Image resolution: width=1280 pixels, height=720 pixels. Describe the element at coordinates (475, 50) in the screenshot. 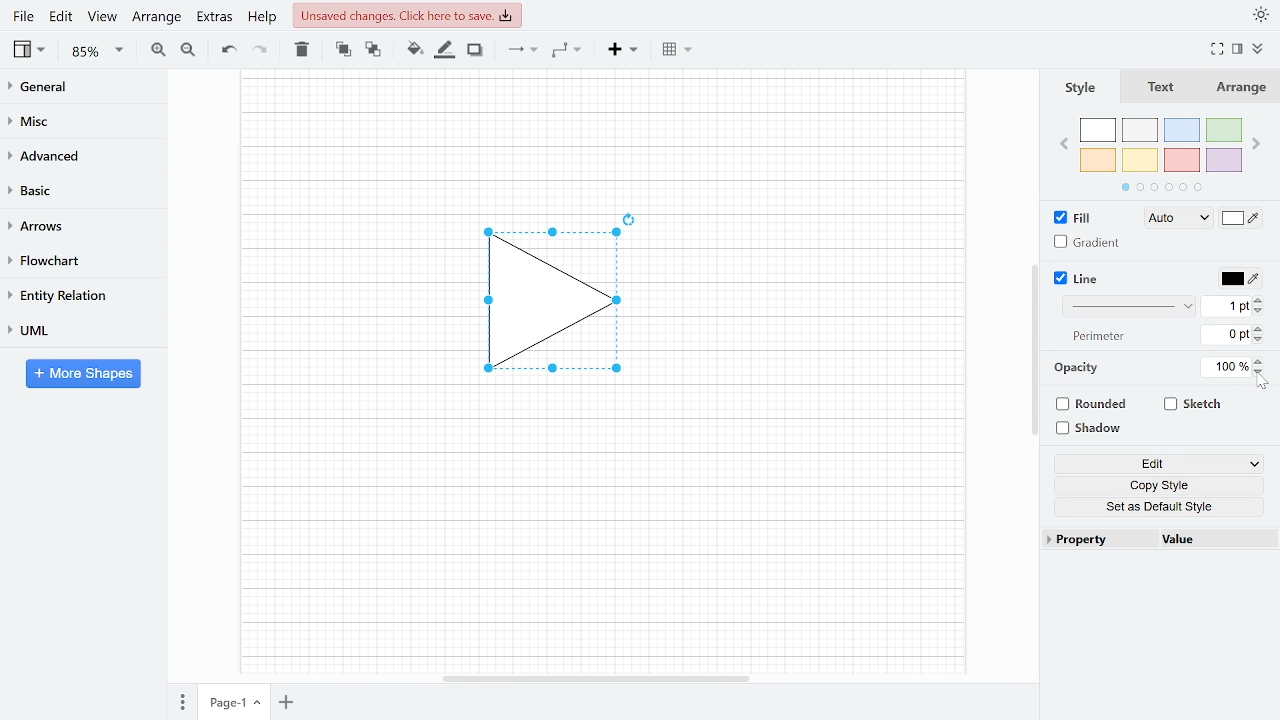

I see `Shadow` at that location.